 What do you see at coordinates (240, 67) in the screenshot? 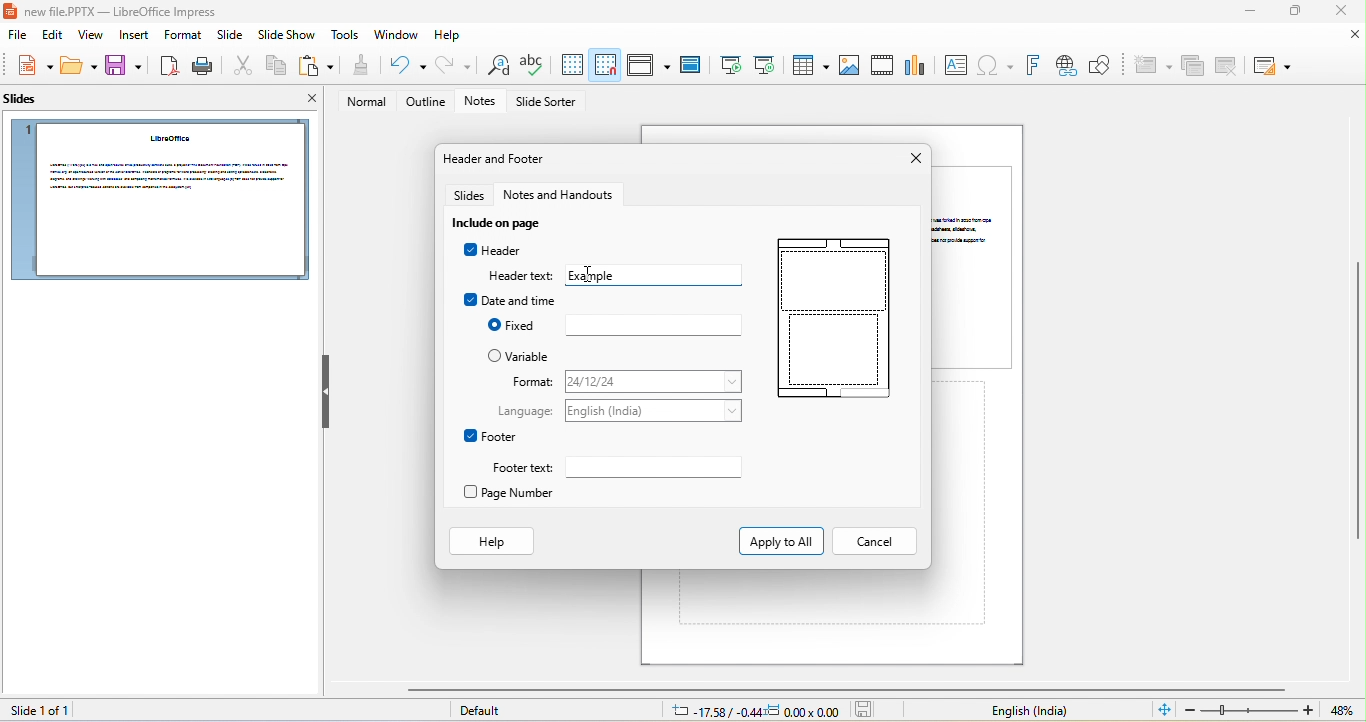
I see `cut` at bounding box center [240, 67].